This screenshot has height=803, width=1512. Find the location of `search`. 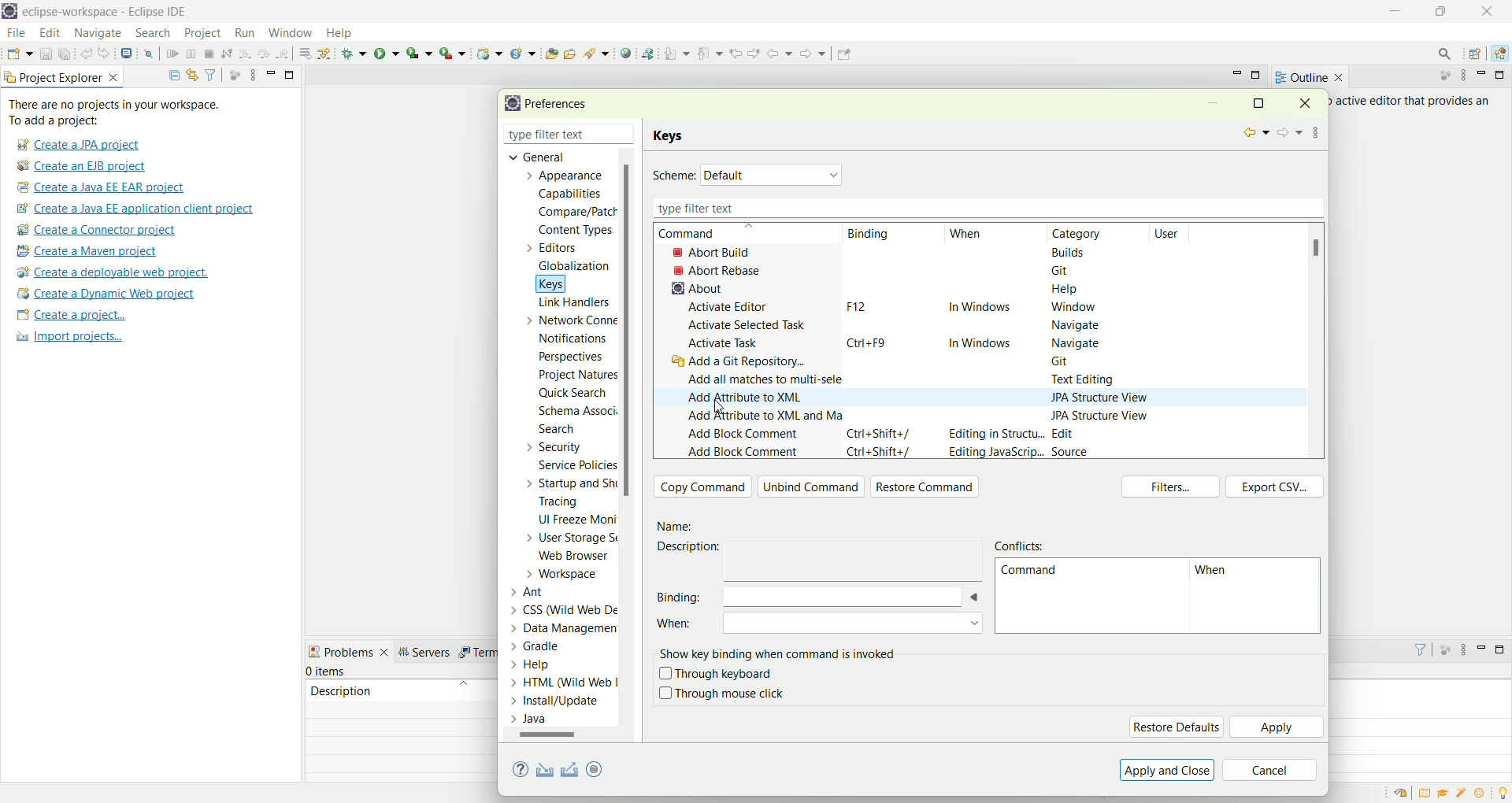

search is located at coordinates (1440, 54).